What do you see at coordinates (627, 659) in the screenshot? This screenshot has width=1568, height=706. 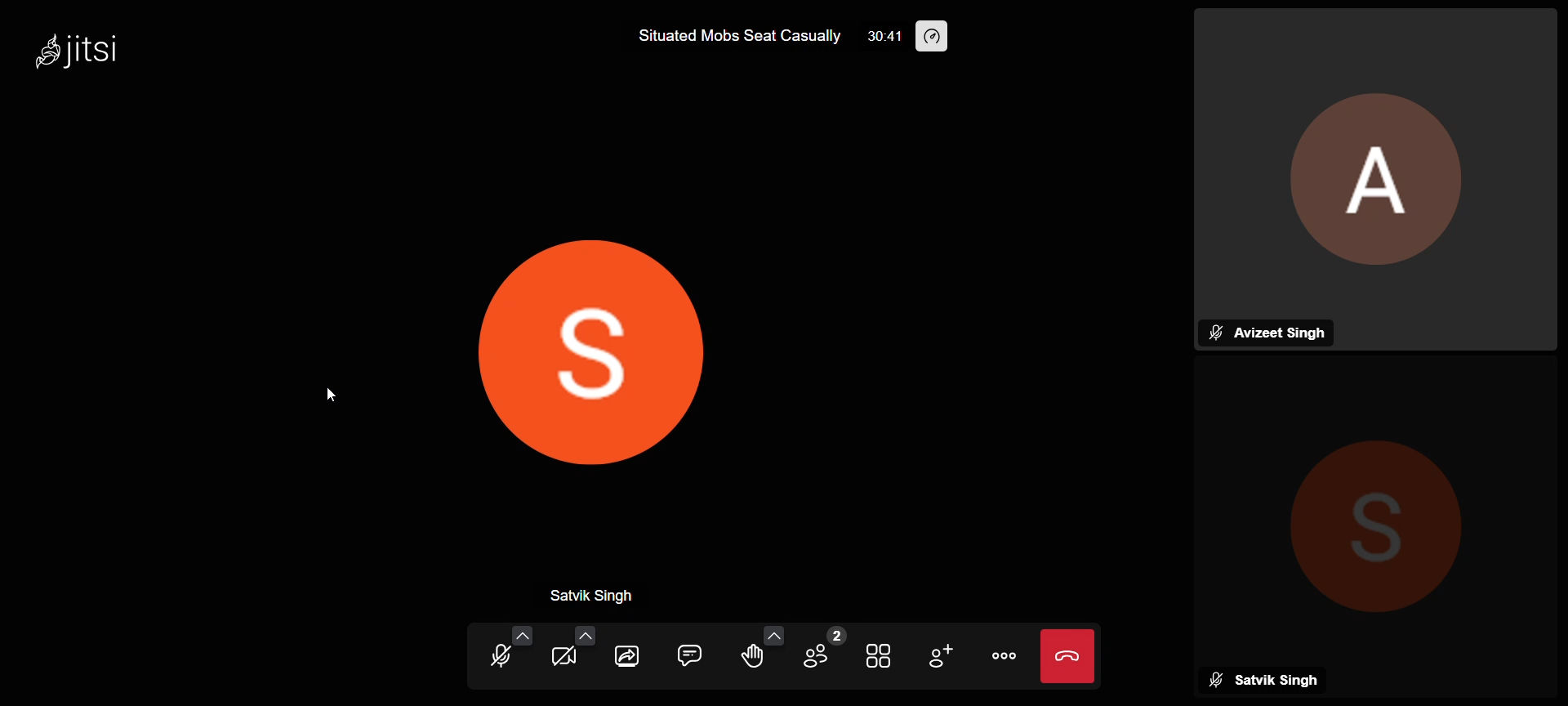 I see `share screen` at bounding box center [627, 659].